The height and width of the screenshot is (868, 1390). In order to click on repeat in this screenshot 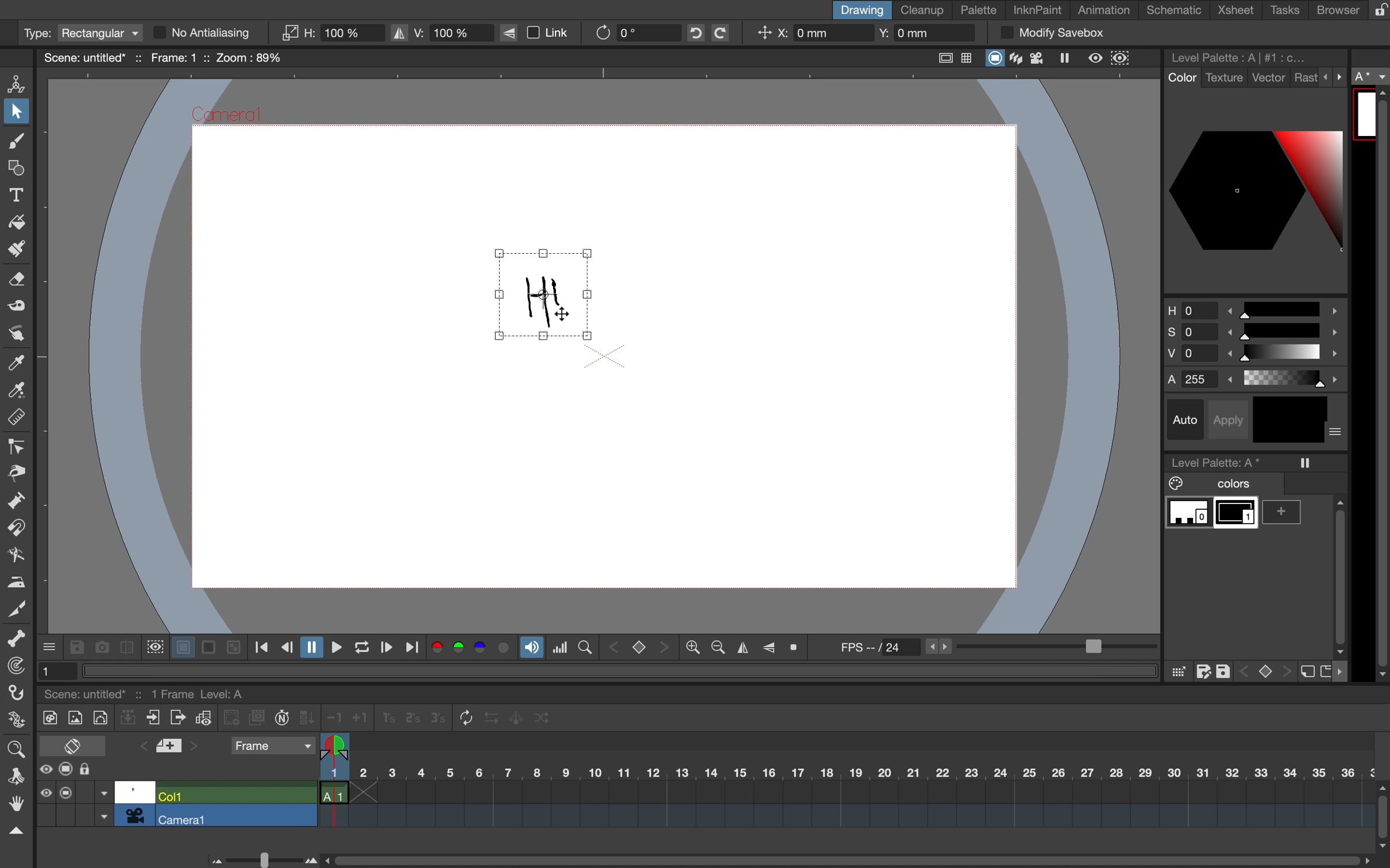, I will do `click(462, 719)`.